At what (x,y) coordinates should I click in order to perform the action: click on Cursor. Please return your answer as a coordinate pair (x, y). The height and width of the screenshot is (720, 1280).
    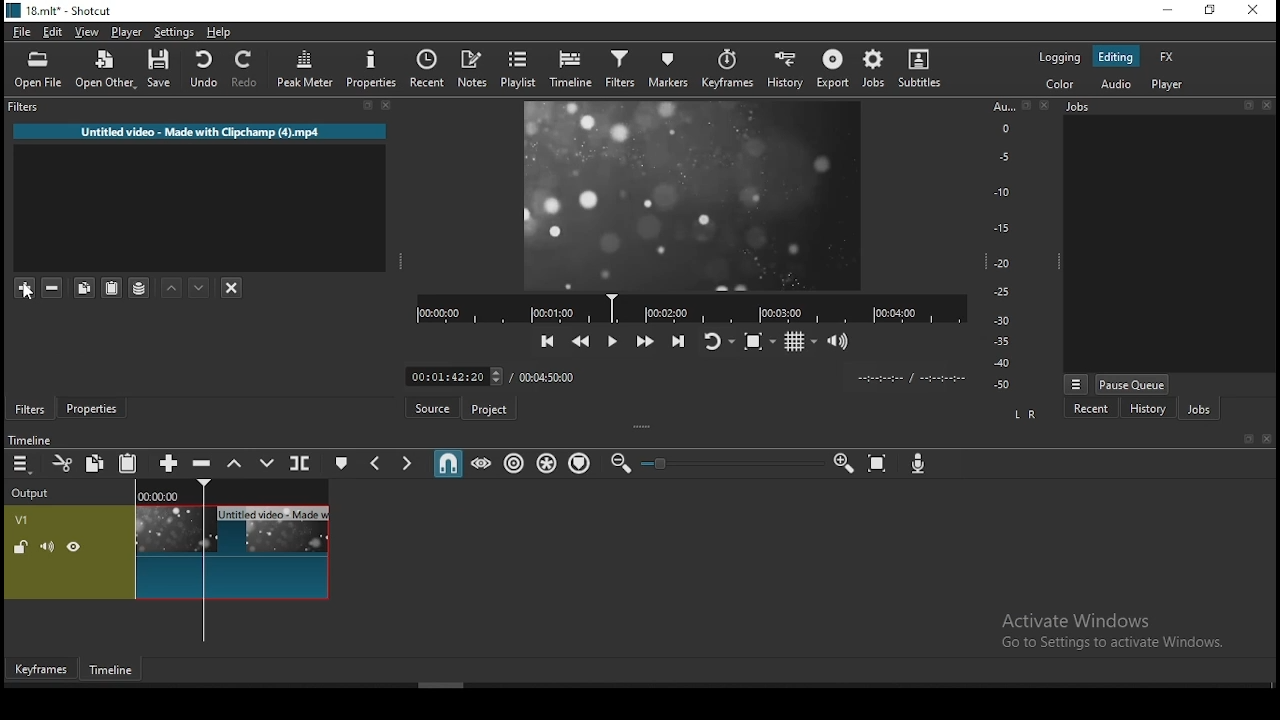
    Looking at the image, I should click on (26, 293).